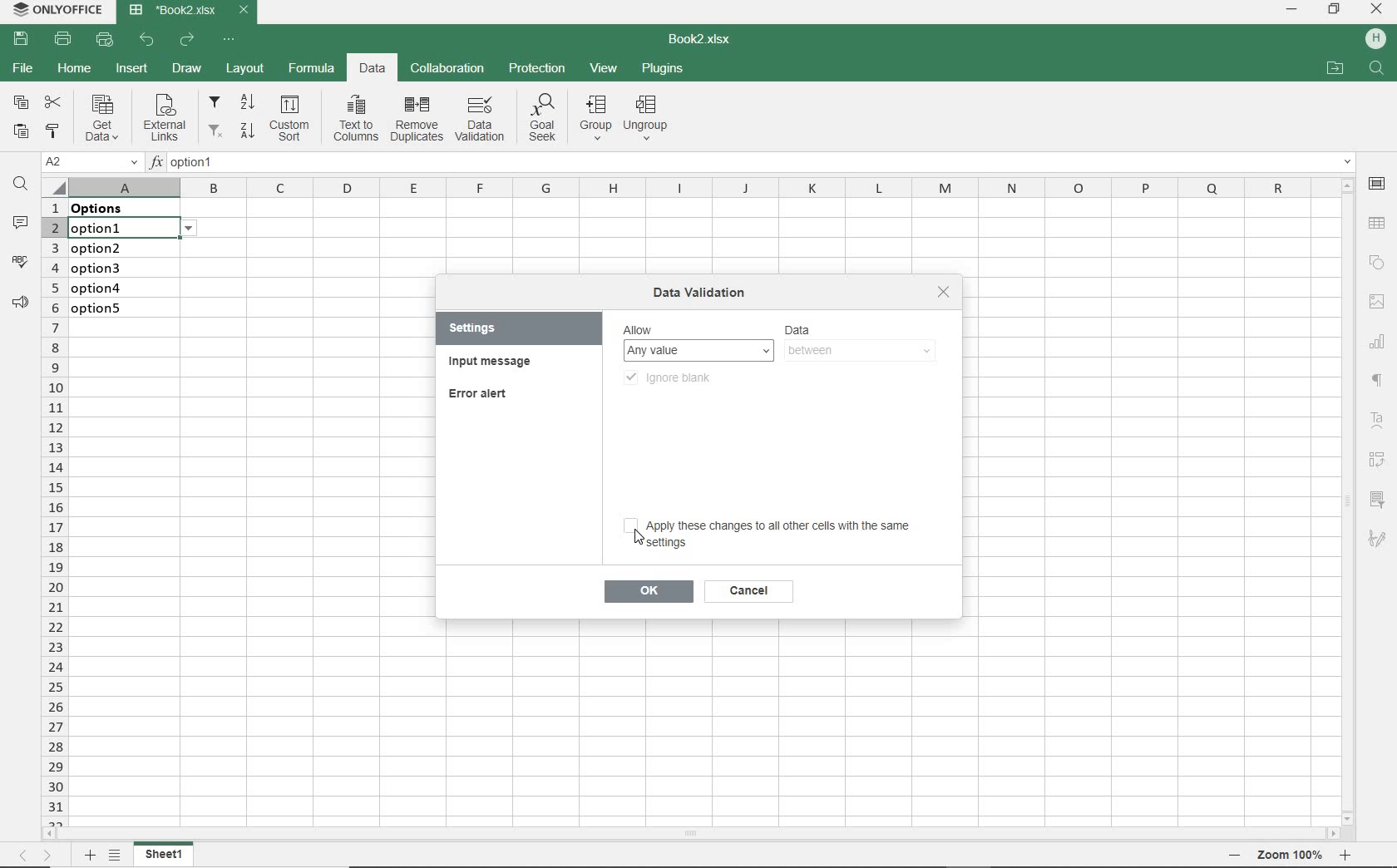 The height and width of the screenshot is (868, 1397). Describe the element at coordinates (131, 70) in the screenshot. I see `INSERT` at that location.